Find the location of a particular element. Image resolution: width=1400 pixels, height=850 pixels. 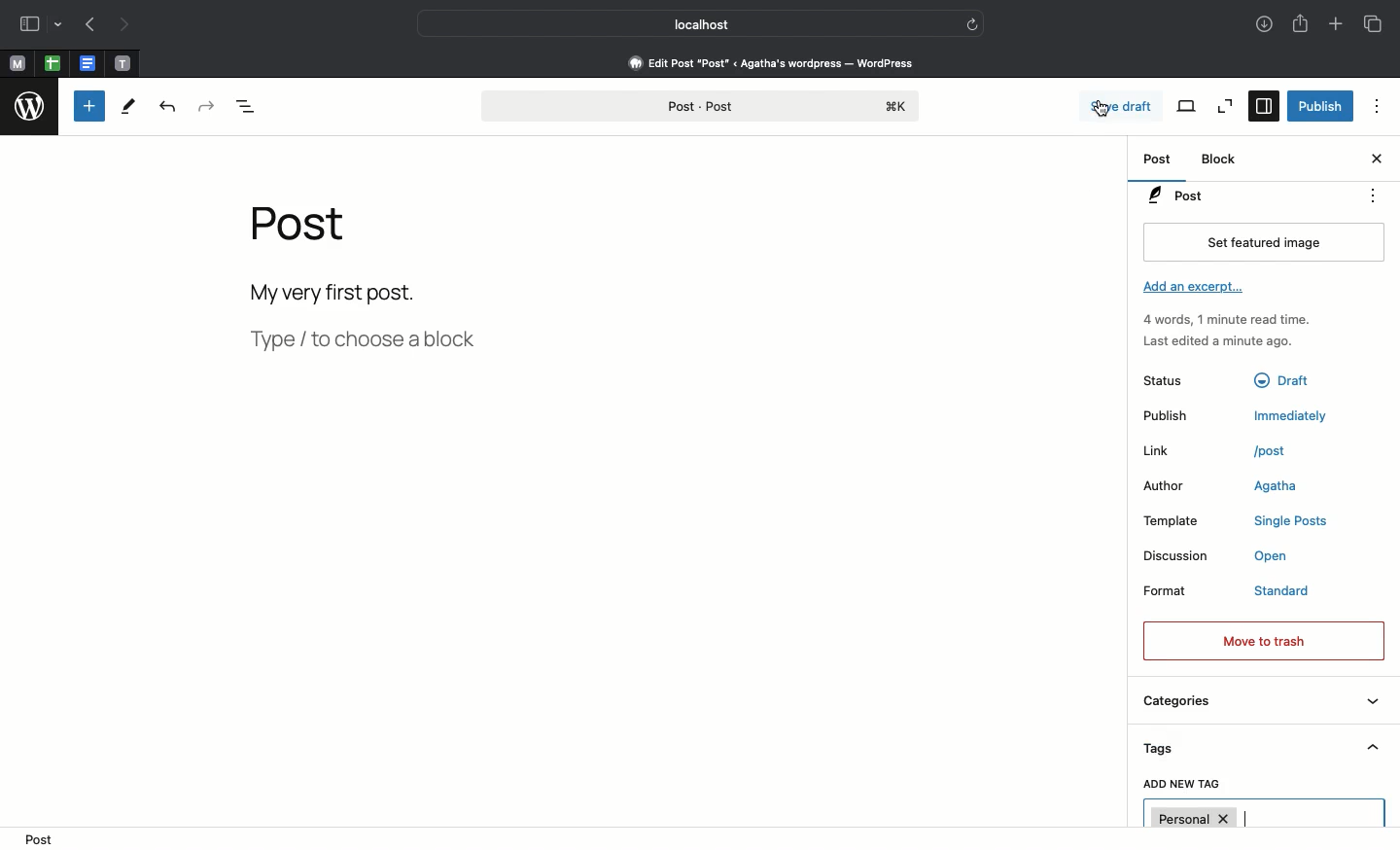

Tags is located at coordinates (1261, 752).